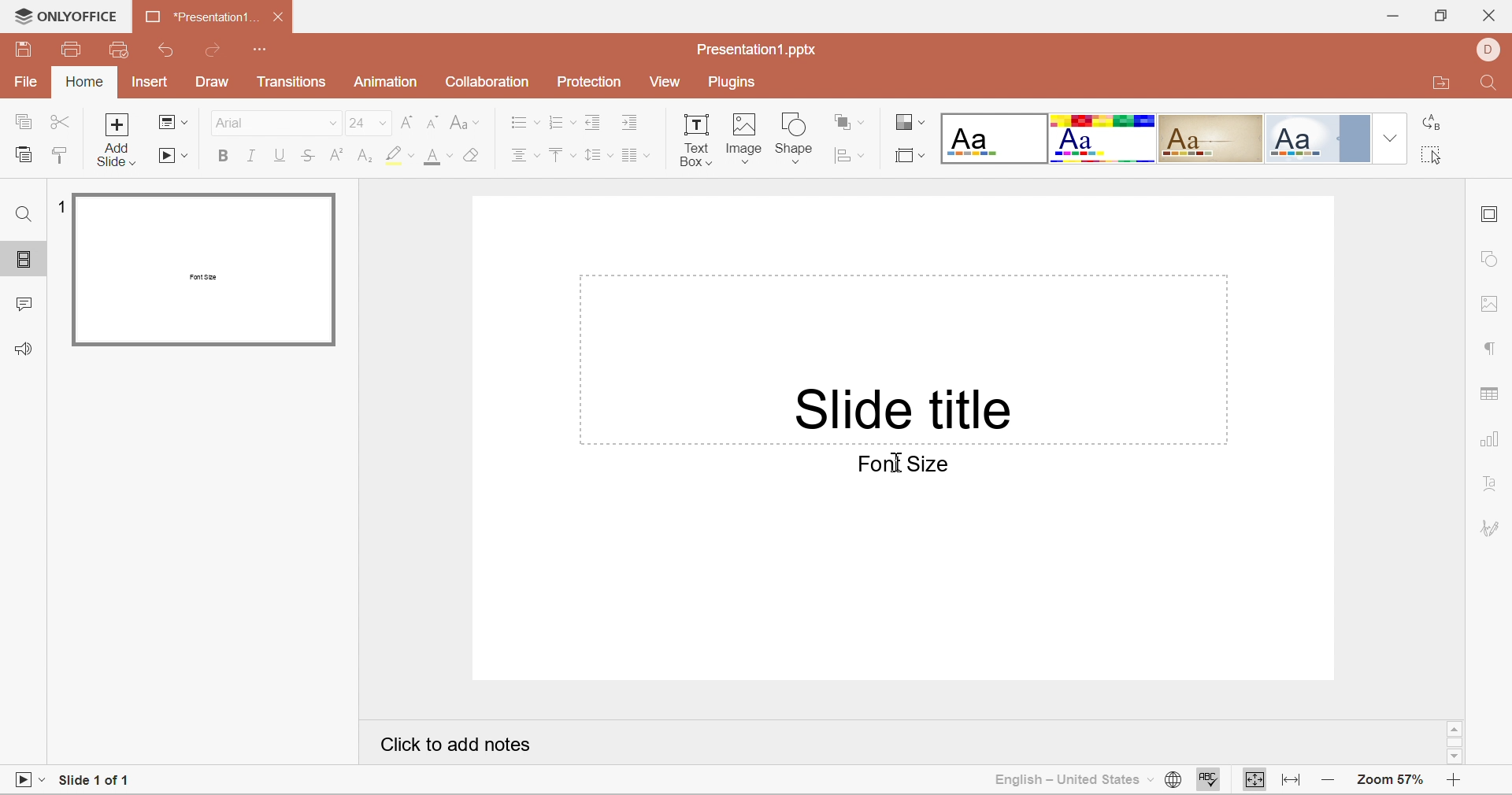 The image size is (1512, 795). Describe the element at coordinates (560, 122) in the screenshot. I see `Numbering` at that location.